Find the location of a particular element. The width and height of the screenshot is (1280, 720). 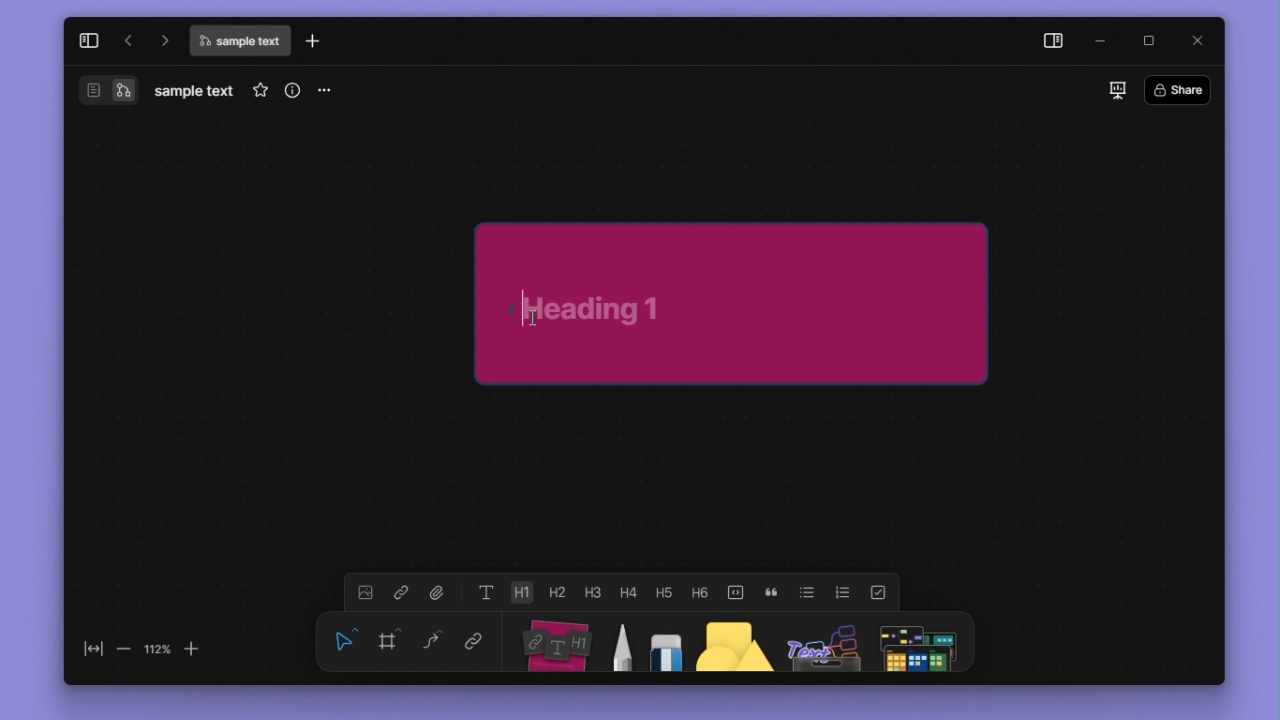

new tab is located at coordinates (313, 40).